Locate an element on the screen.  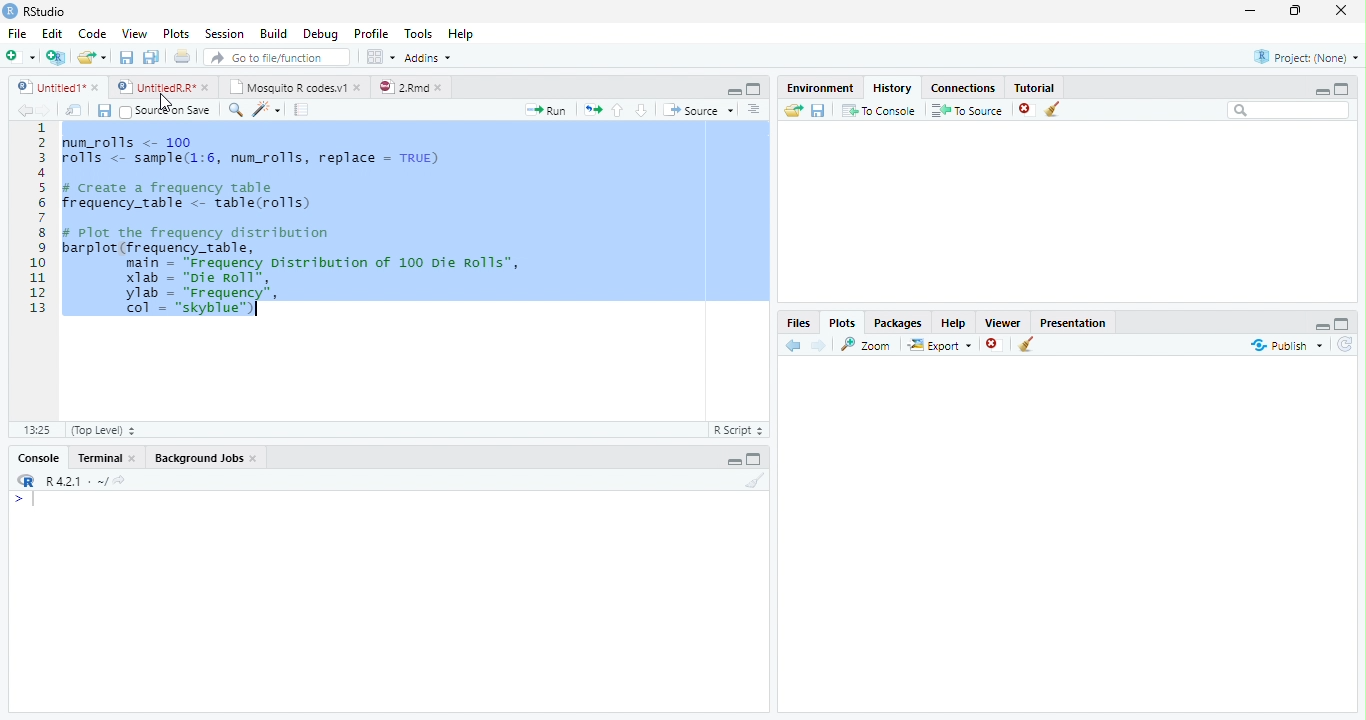
Environment is located at coordinates (821, 87).